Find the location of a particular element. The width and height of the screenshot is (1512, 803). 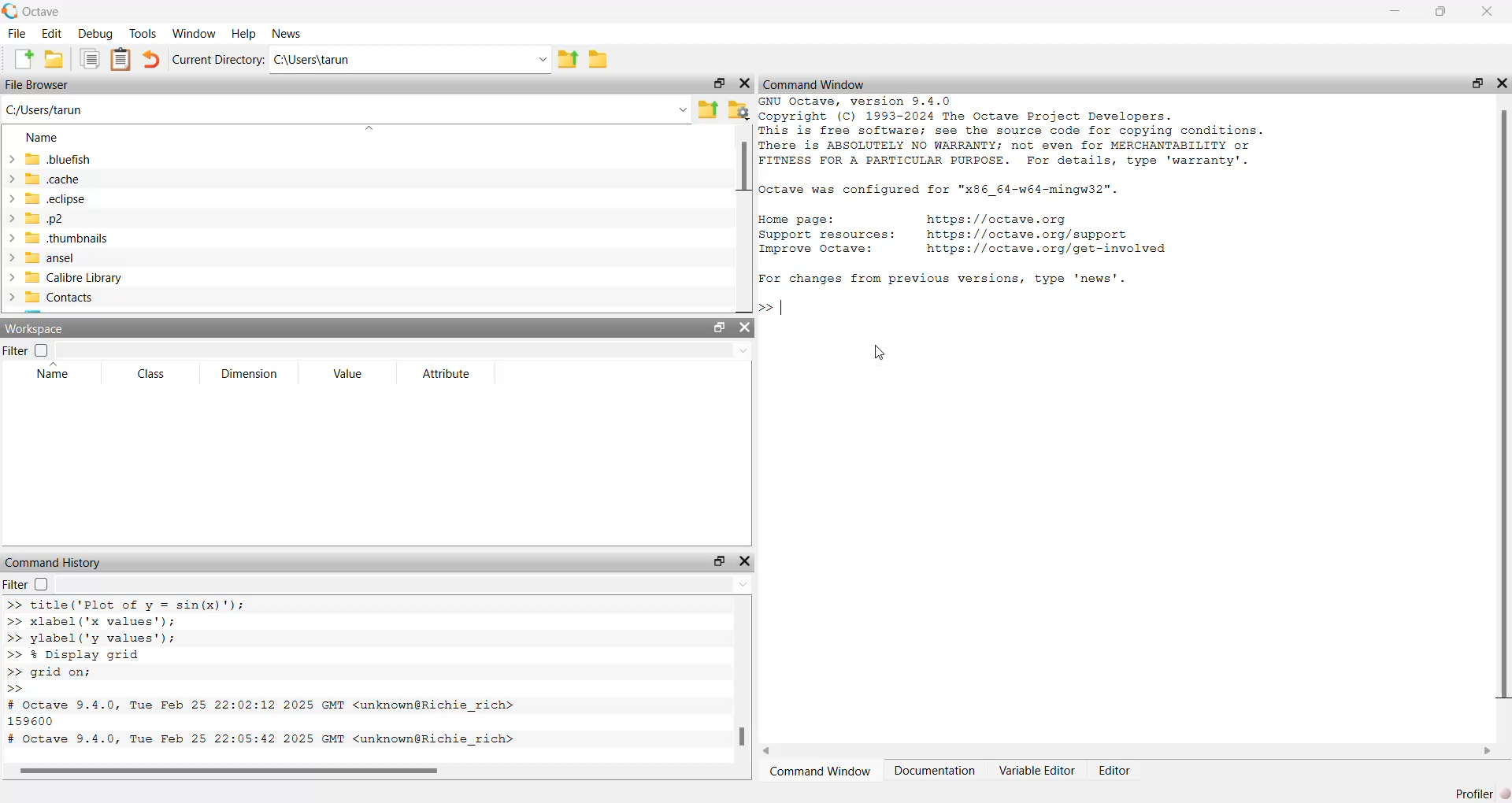

scroll bar is located at coordinates (229, 771).